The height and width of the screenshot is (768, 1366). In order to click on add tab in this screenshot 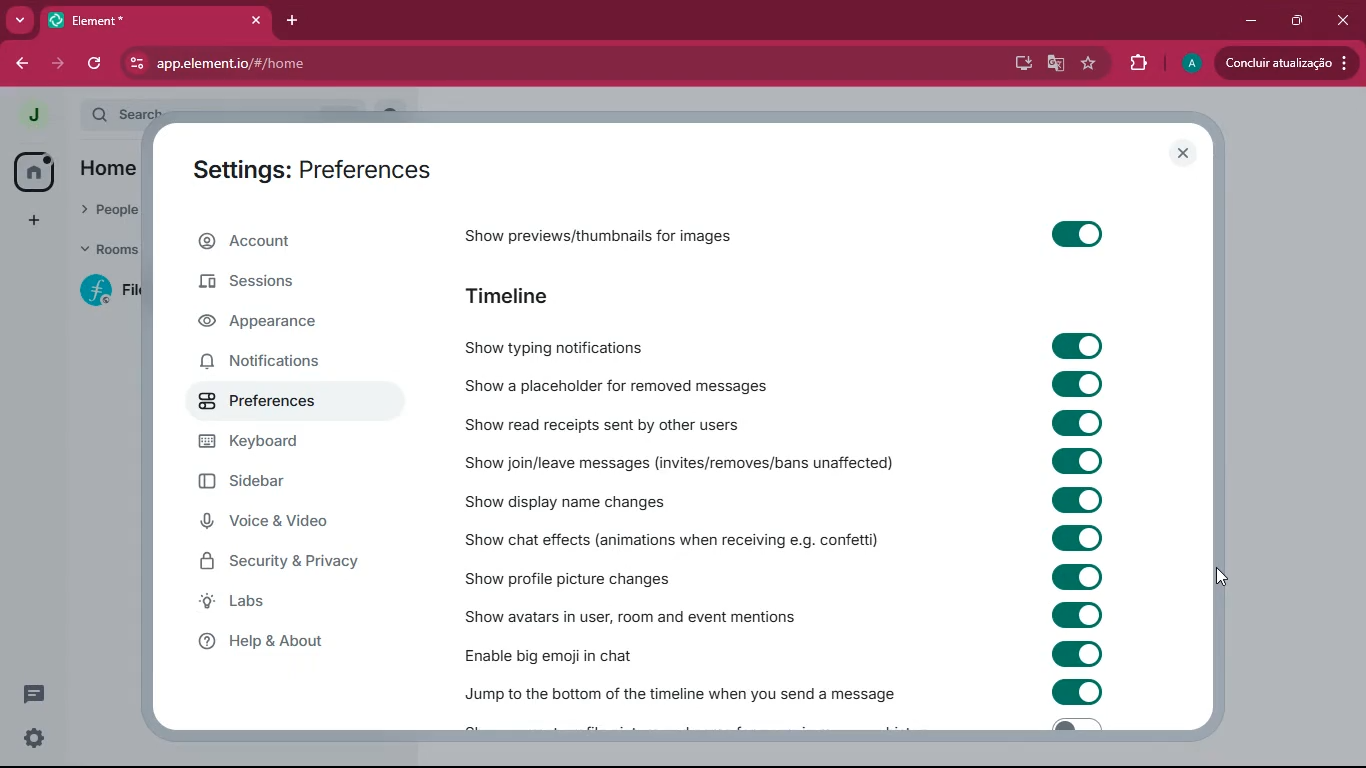, I will do `click(287, 21)`.